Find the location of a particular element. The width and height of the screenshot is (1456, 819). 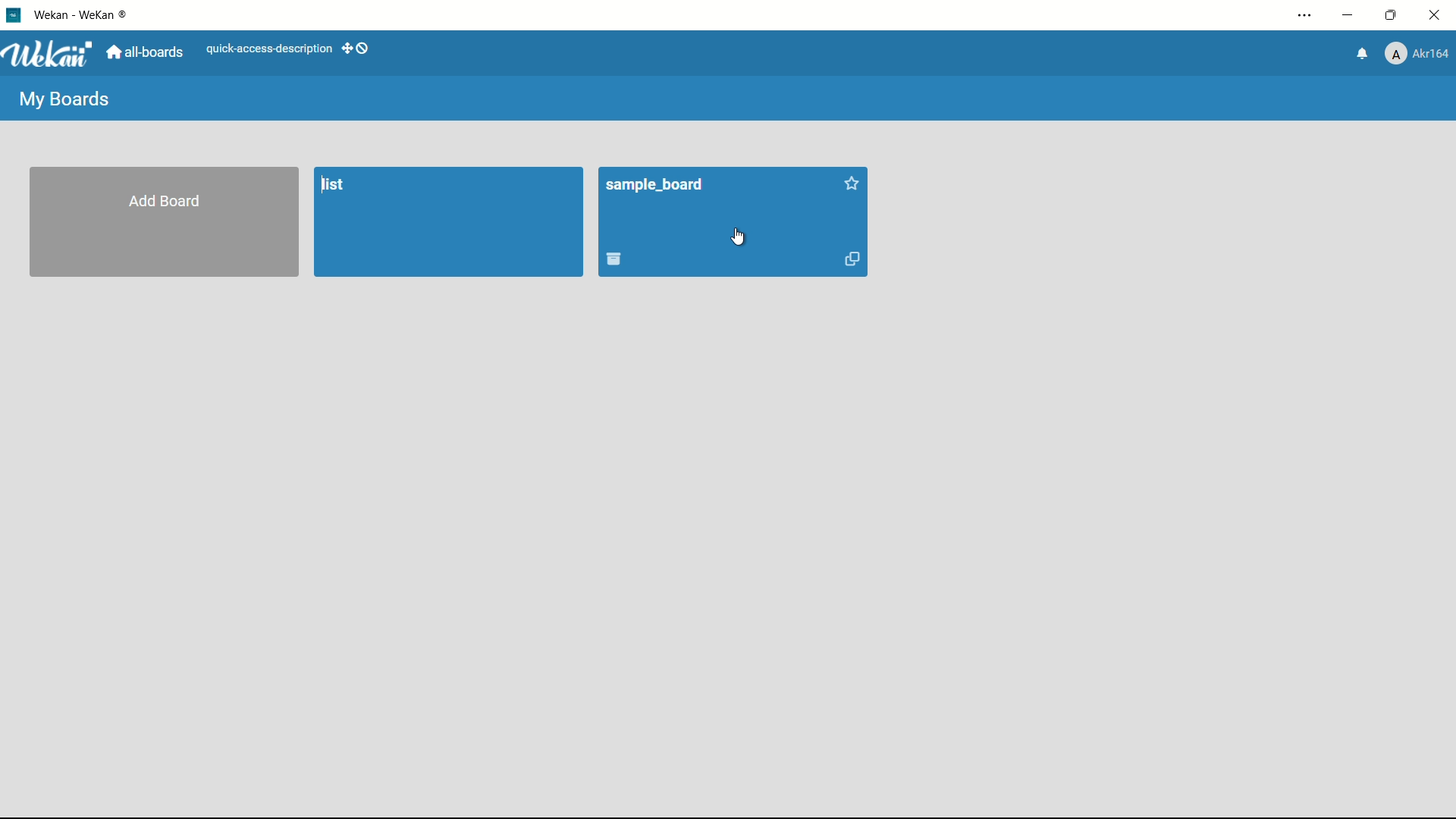

maximize is located at coordinates (1395, 16).